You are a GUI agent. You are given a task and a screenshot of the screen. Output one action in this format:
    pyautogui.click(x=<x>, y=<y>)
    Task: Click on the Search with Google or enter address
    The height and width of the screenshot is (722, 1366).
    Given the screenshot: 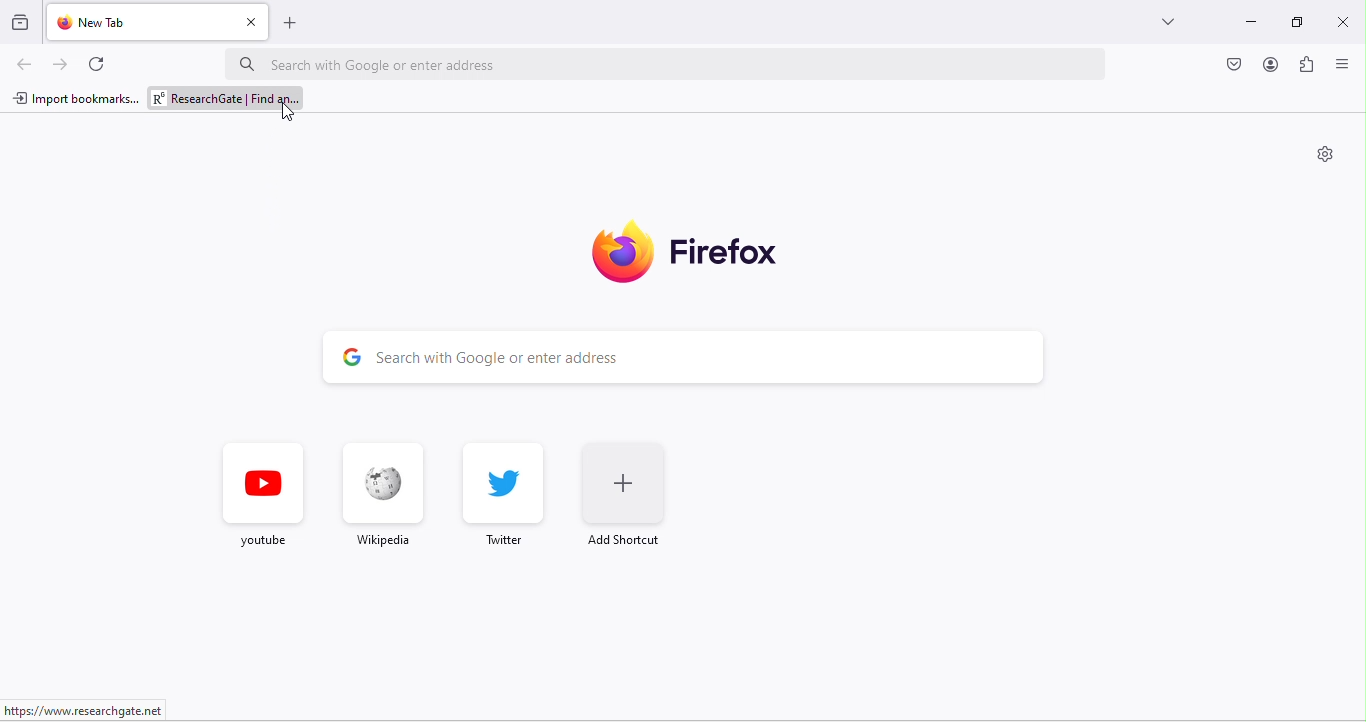 What is the action you would take?
    pyautogui.click(x=668, y=64)
    